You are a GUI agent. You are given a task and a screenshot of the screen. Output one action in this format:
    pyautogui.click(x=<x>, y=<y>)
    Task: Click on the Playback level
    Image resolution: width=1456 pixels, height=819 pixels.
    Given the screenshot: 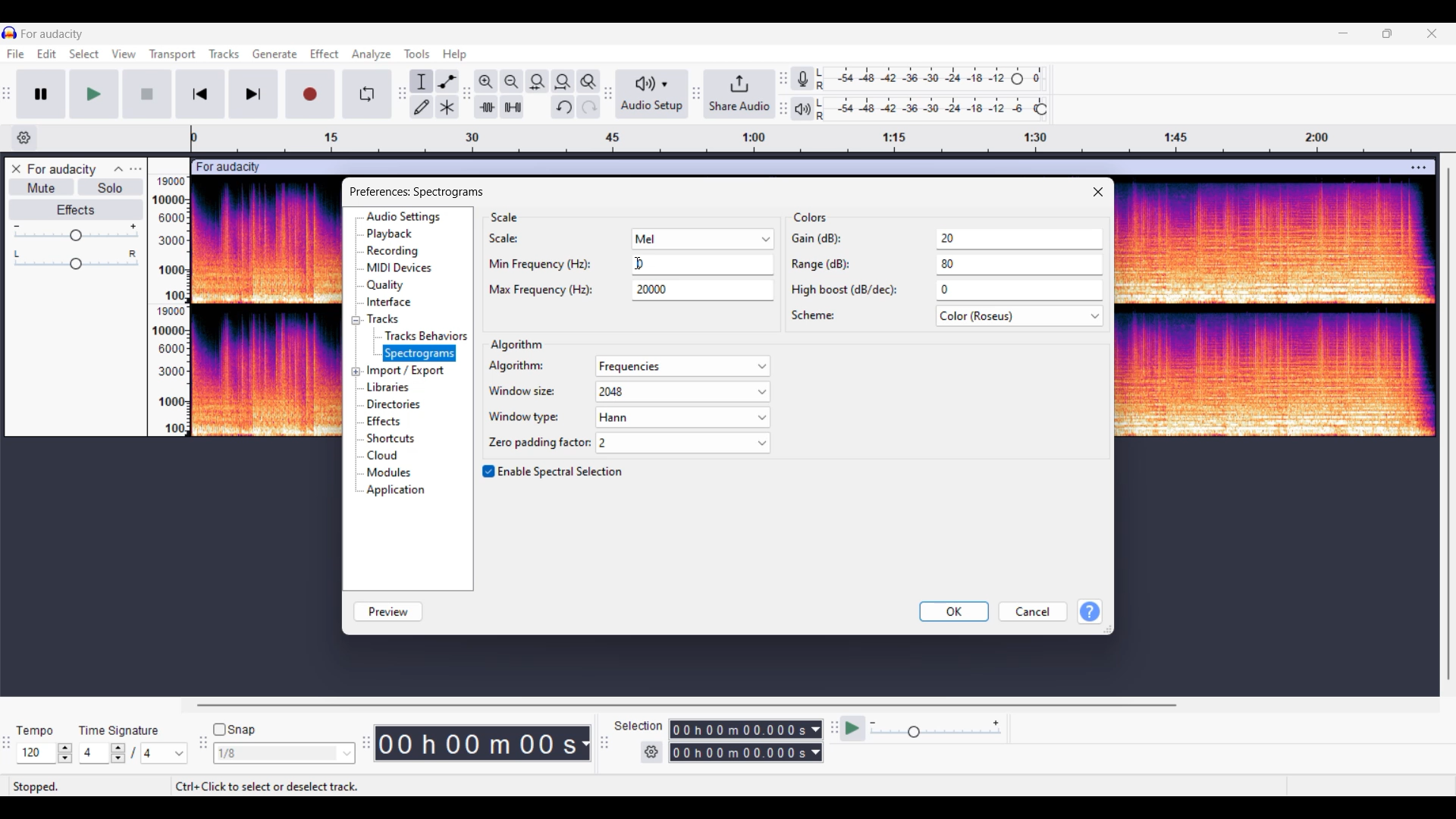 What is the action you would take?
    pyautogui.click(x=930, y=108)
    